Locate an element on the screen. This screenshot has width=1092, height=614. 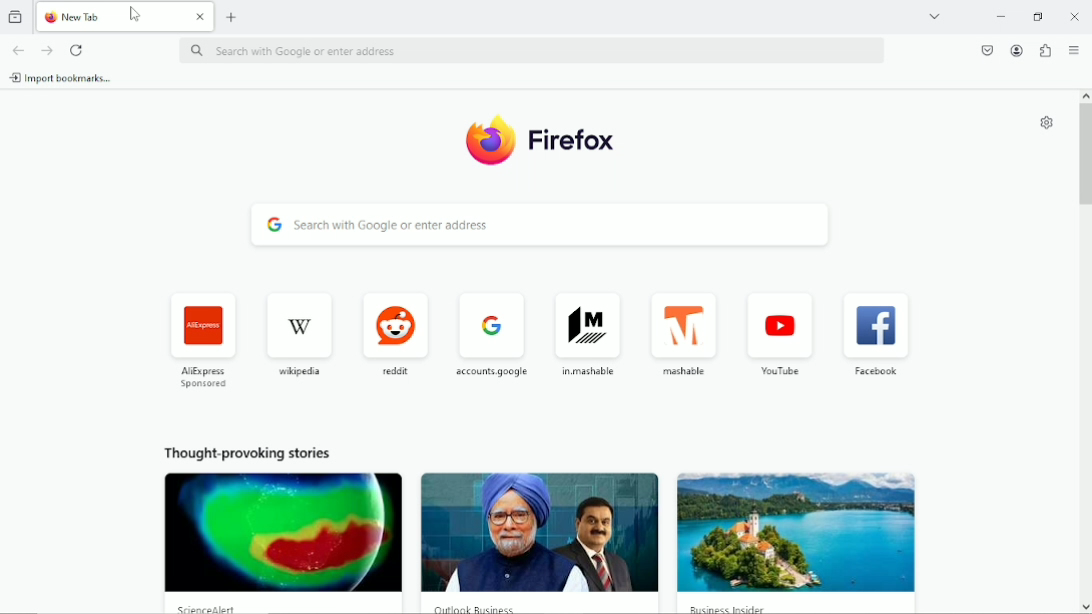
Search bar is located at coordinates (533, 50).